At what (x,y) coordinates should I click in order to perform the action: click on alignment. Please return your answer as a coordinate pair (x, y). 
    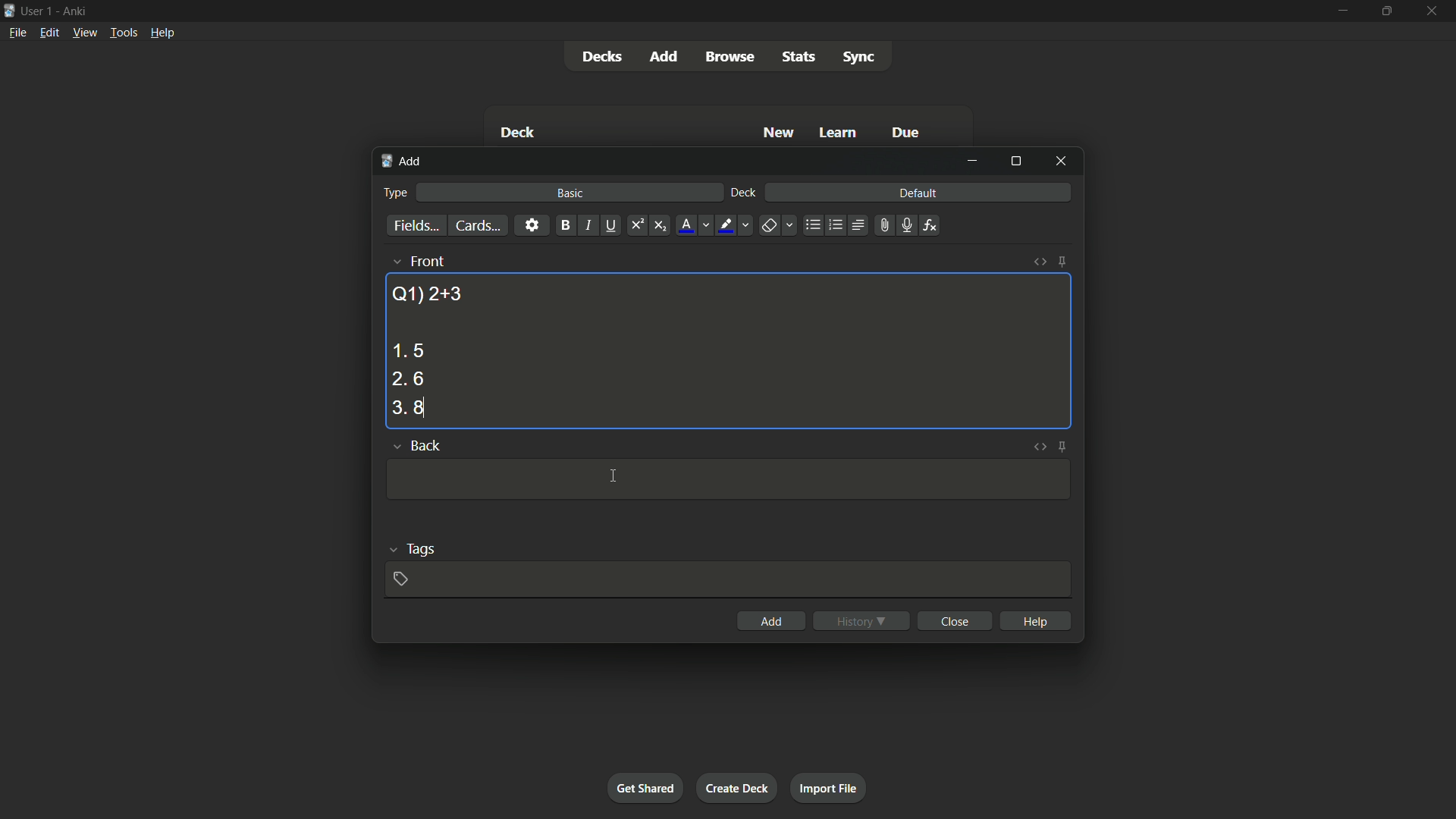
    Looking at the image, I should click on (857, 226).